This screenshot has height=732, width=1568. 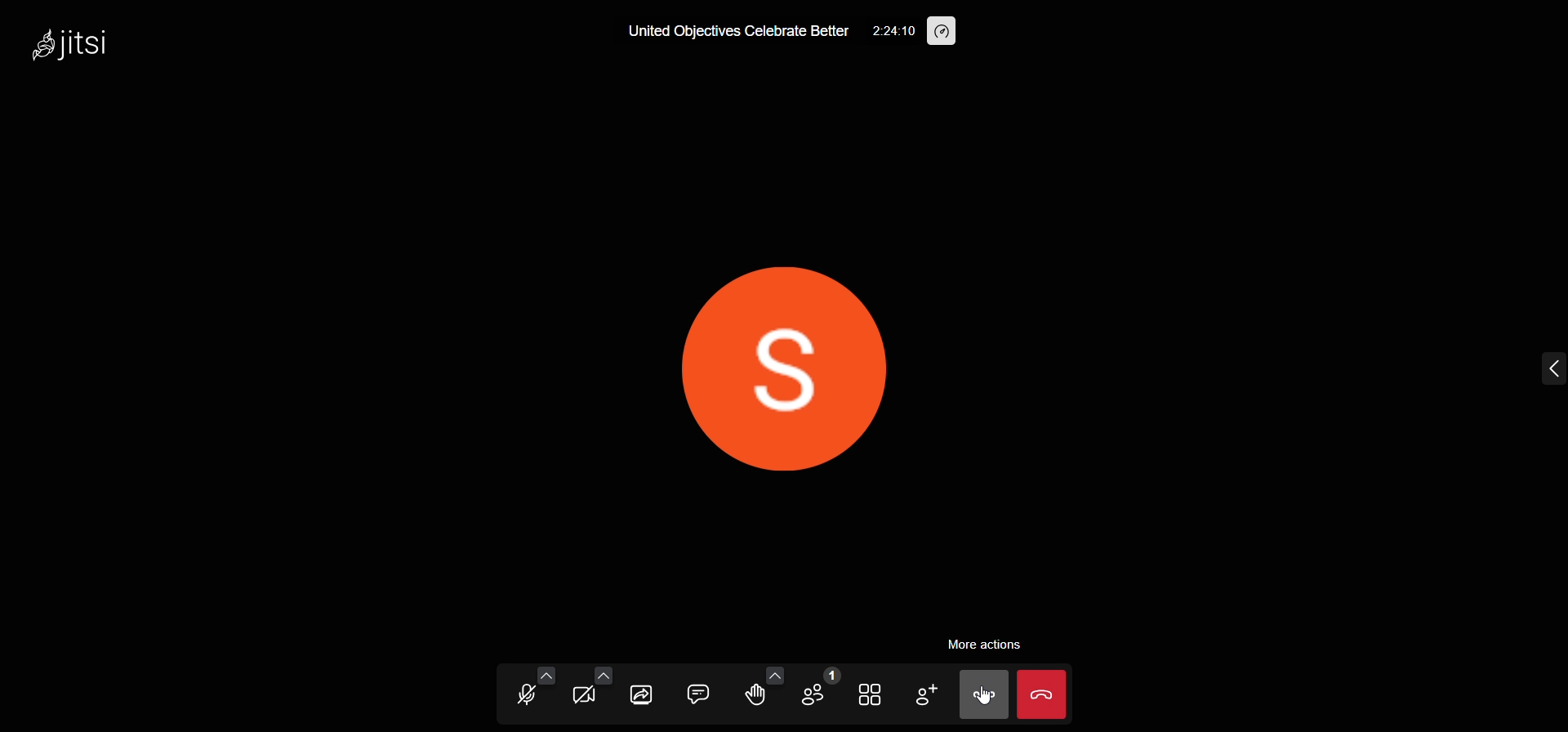 What do you see at coordinates (925, 694) in the screenshot?
I see `invite people` at bounding box center [925, 694].